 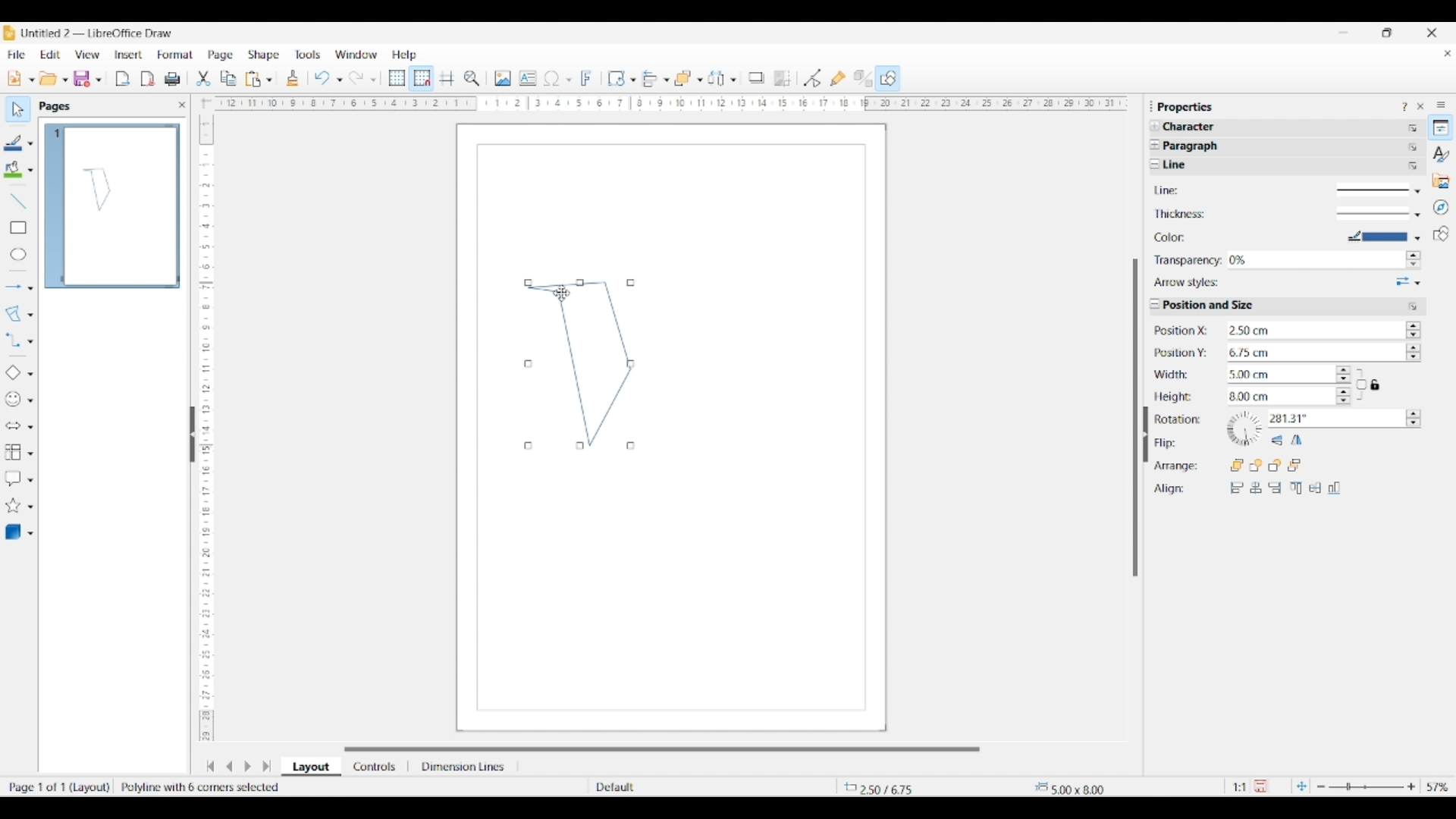 What do you see at coordinates (662, 749) in the screenshot?
I see `Horizontal slide bar` at bounding box center [662, 749].